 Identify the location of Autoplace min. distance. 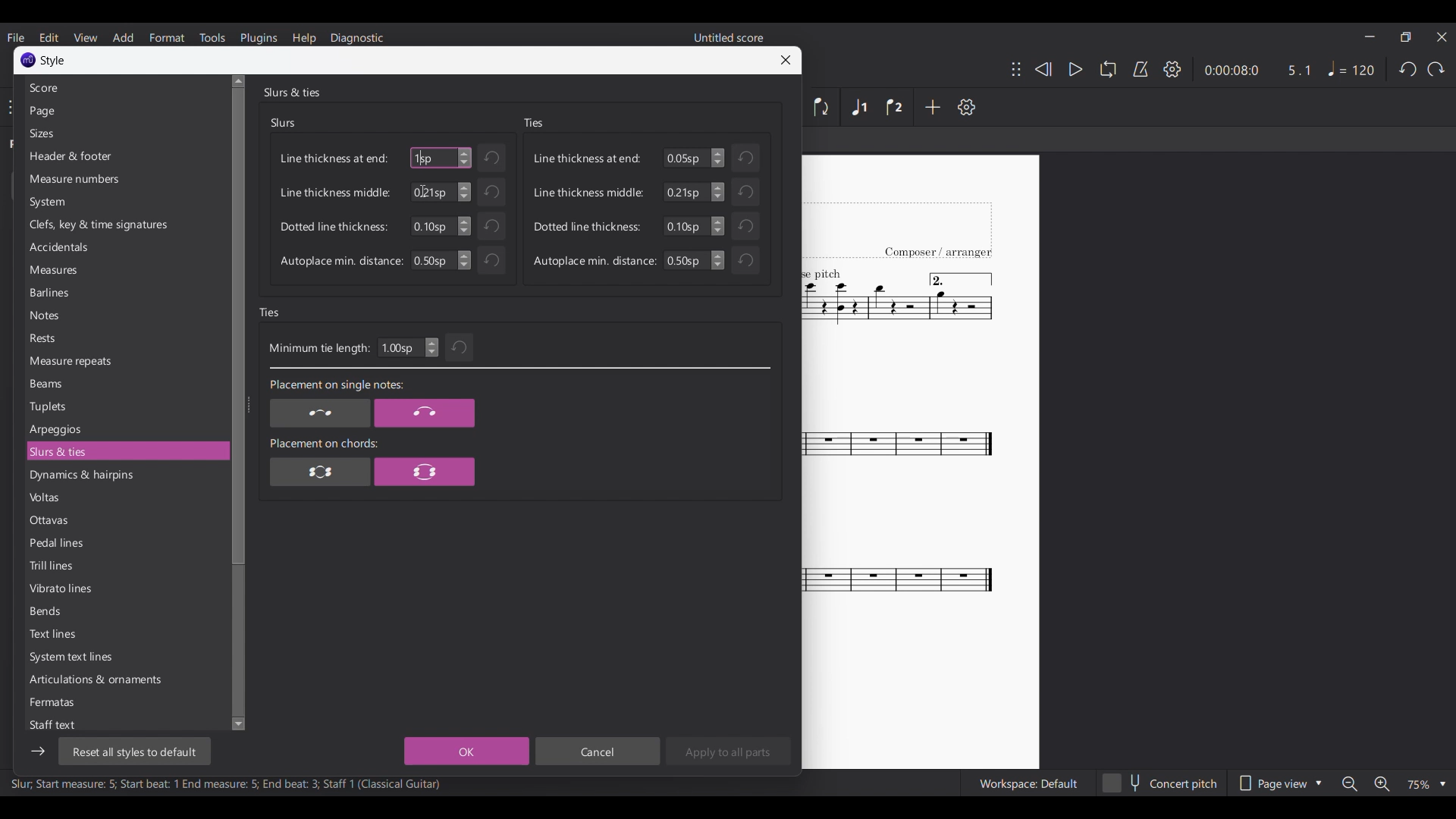
(595, 261).